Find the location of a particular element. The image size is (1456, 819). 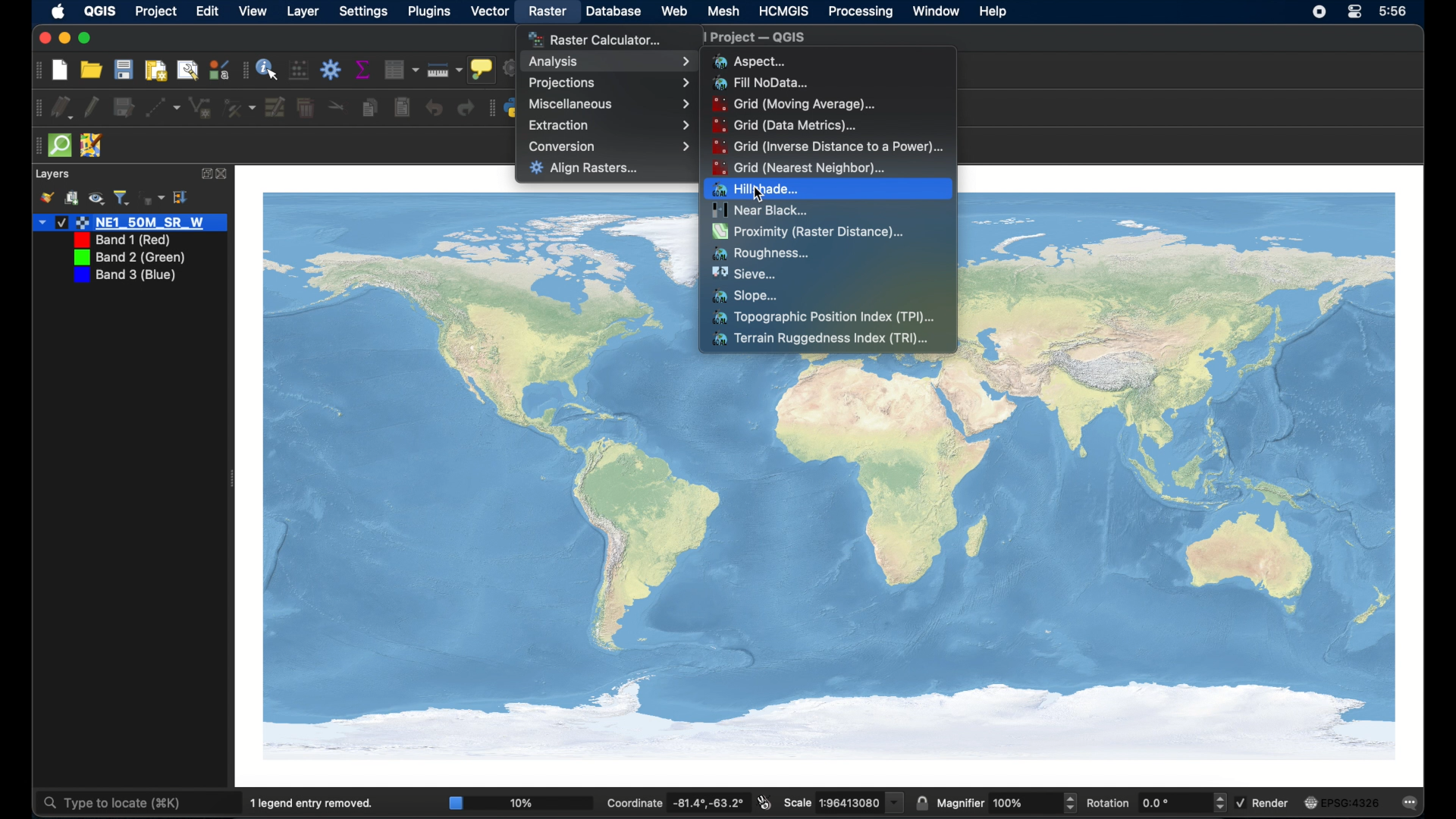

vertex tool is located at coordinates (239, 108).